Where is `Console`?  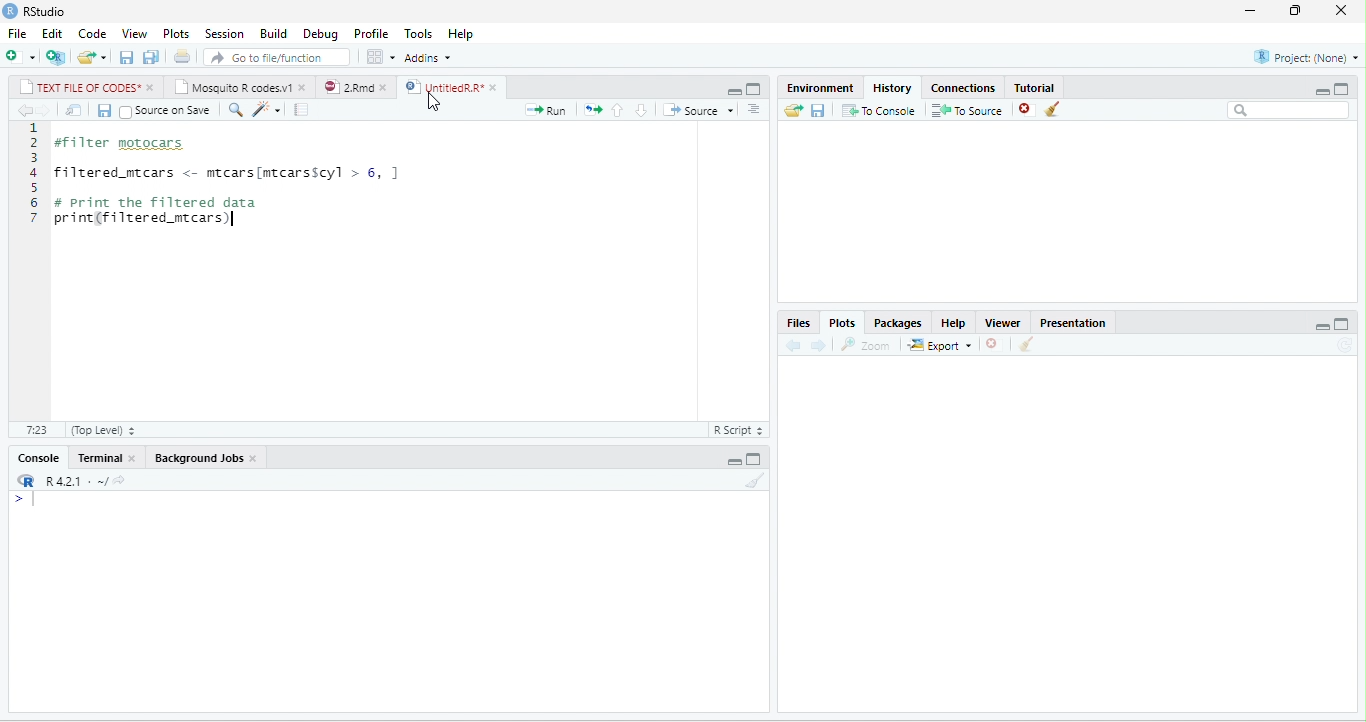
Console is located at coordinates (37, 458).